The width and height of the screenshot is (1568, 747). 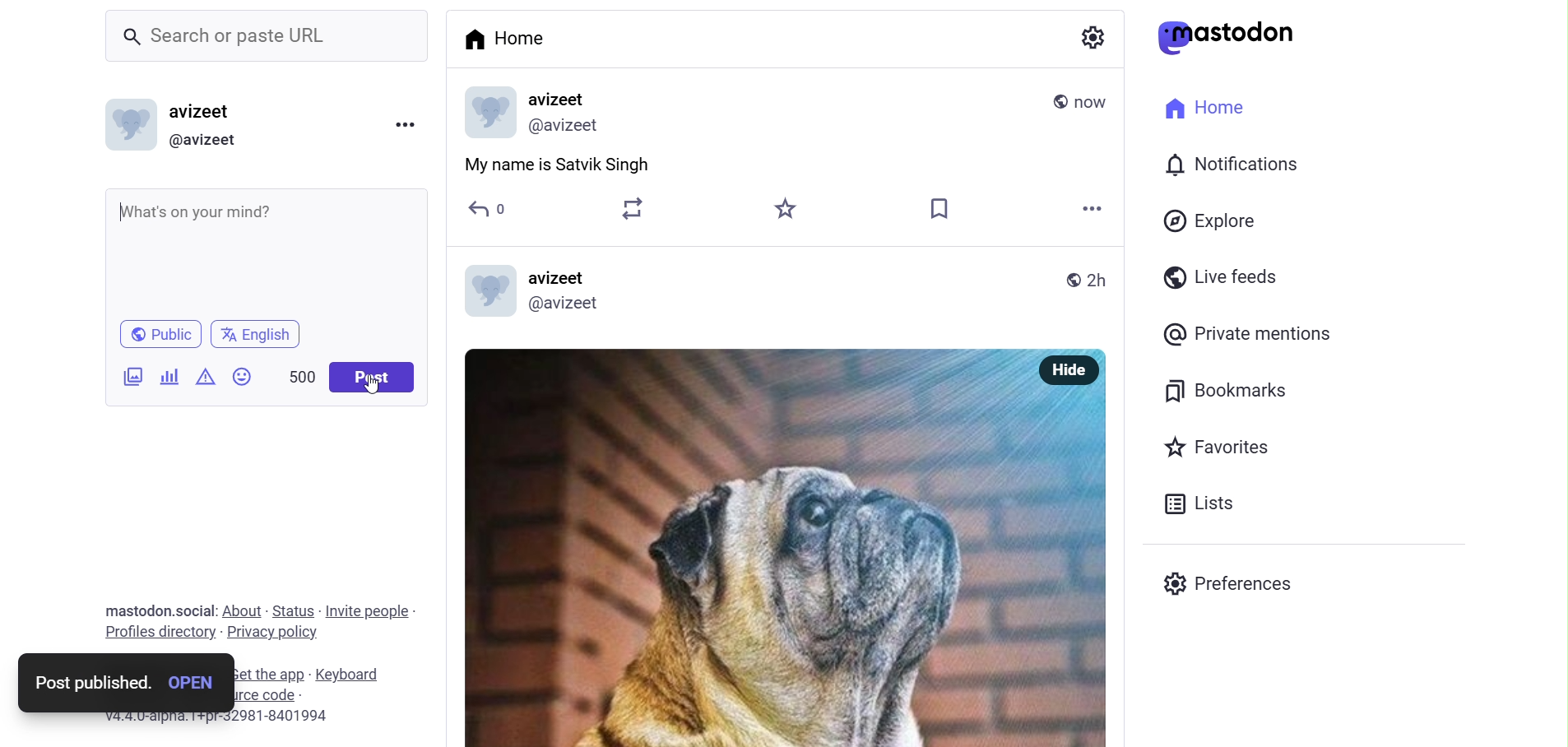 I want to click on Post , so click(x=378, y=378).